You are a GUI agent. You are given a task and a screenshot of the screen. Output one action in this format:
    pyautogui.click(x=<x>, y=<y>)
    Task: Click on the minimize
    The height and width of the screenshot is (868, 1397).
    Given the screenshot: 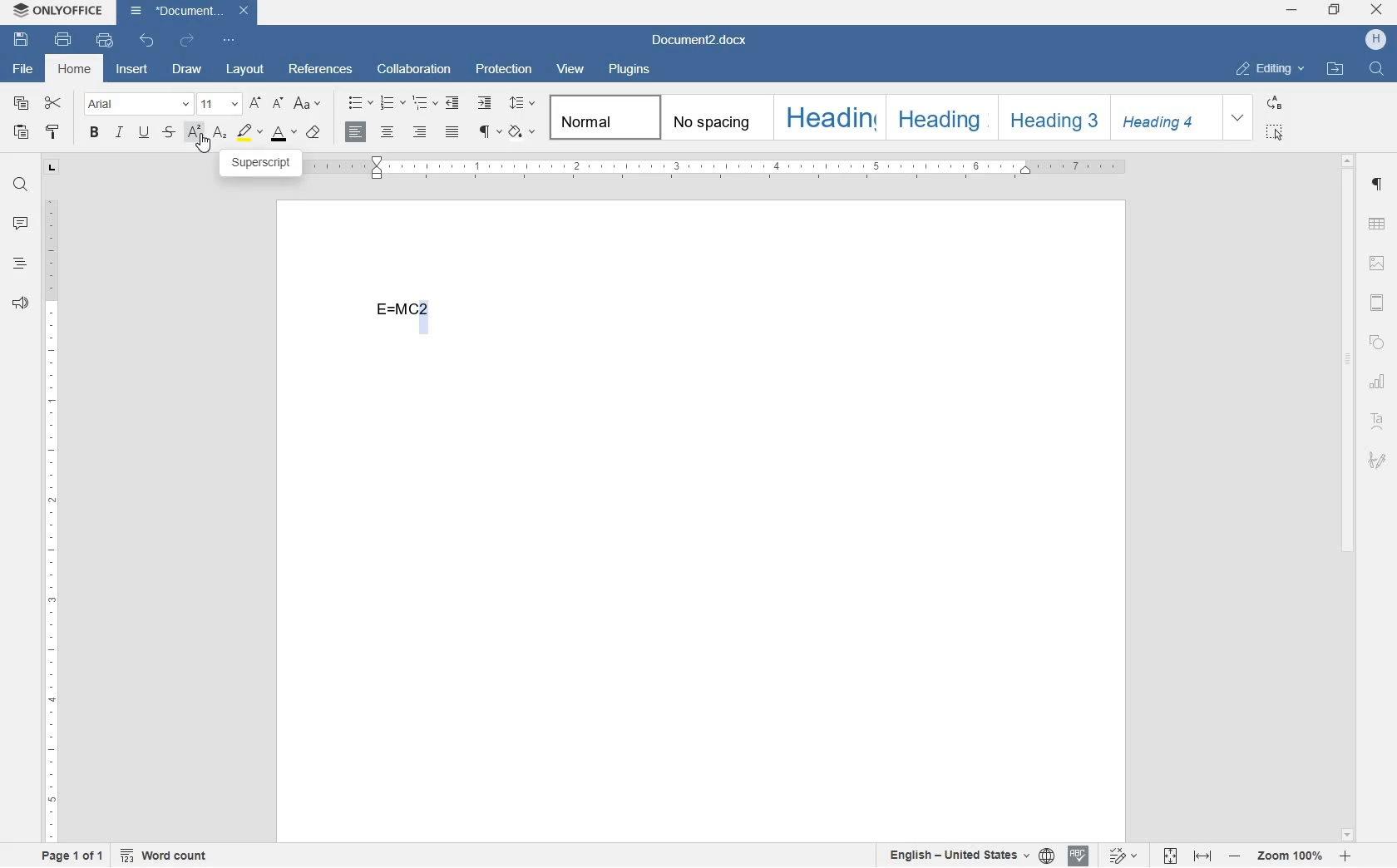 What is the action you would take?
    pyautogui.click(x=1292, y=10)
    